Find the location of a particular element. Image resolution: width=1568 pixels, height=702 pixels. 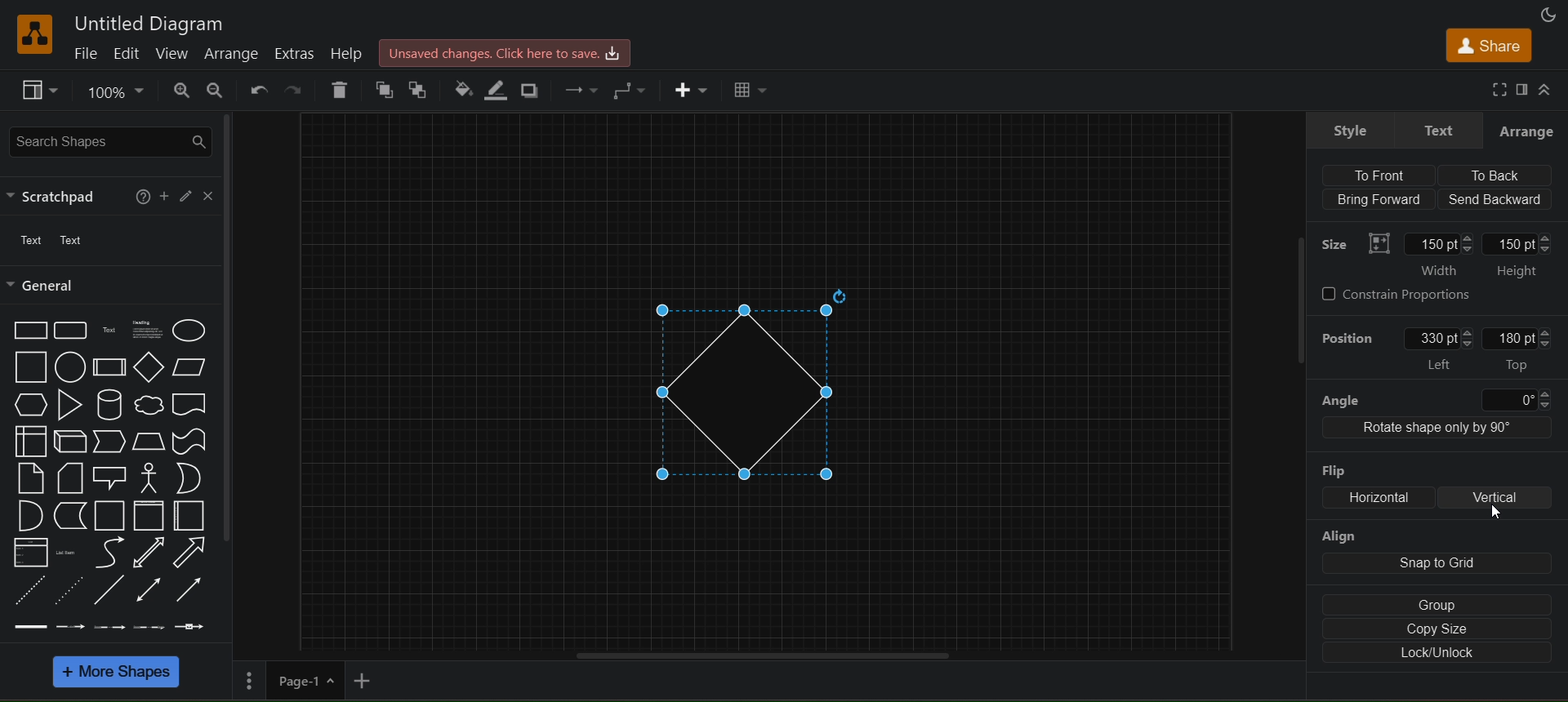

data storage is located at coordinates (66, 516).